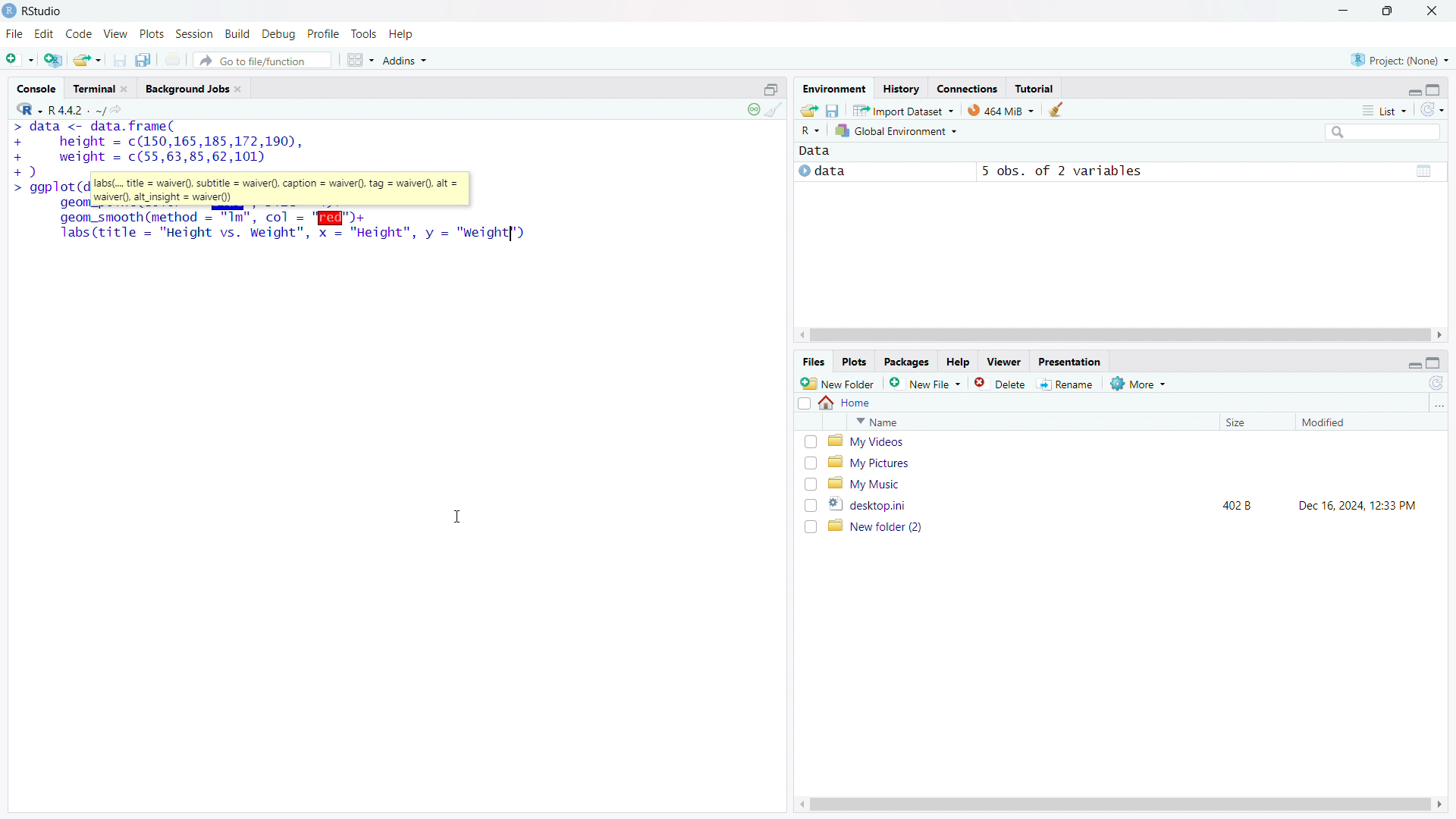 The image size is (1456, 819). What do you see at coordinates (1034, 88) in the screenshot?
I see `tutorial` at bounding box center [1034, 88].